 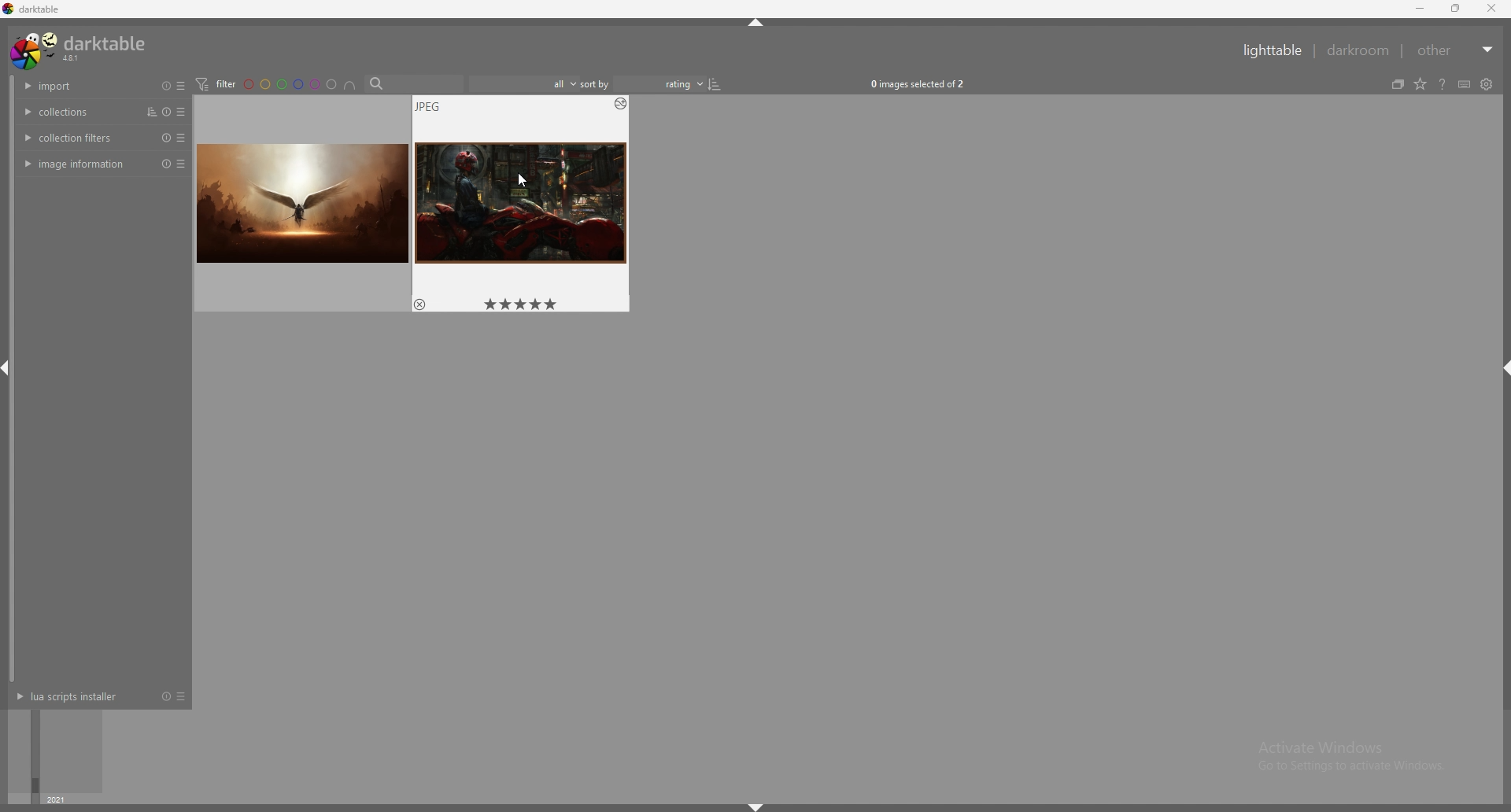 What do you see at coordinates (1398, 85) in the screenshot?
I see `collapse grouped images` at bounding box center [1398, 85].